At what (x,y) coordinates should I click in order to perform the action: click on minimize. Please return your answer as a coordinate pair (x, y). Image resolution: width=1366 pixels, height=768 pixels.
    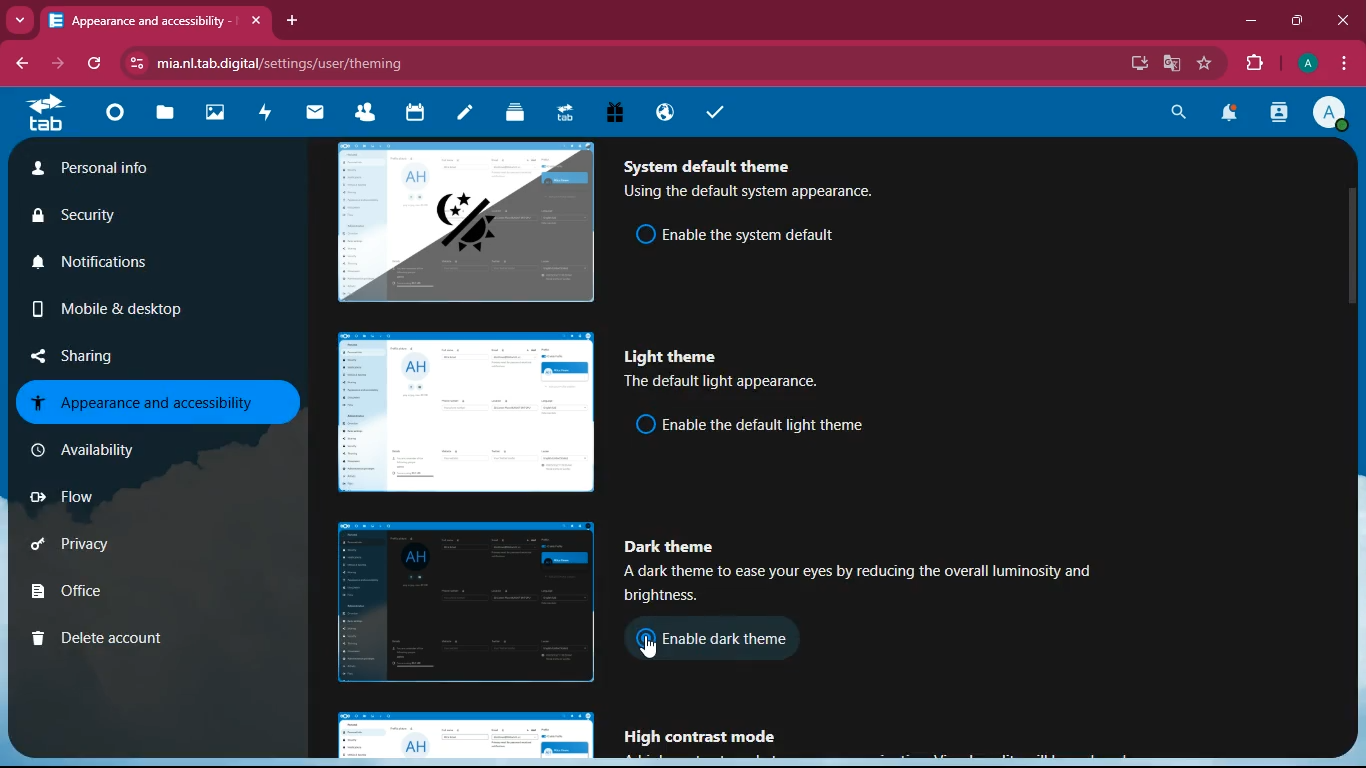
    Looking at the image, I should click on (1251, 24).